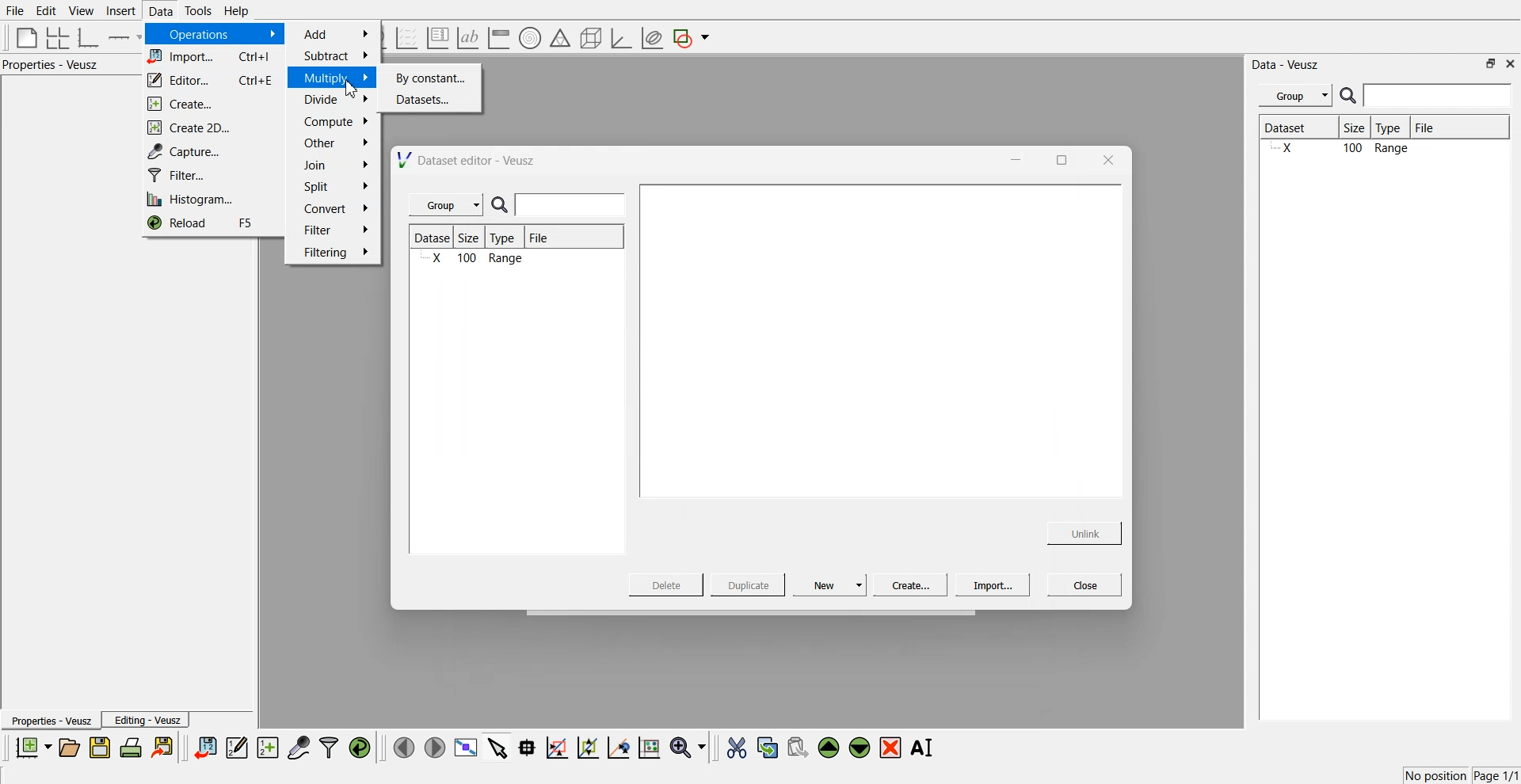 The image size is (1521, 784). I want to click on read data points, so click(527, 748).